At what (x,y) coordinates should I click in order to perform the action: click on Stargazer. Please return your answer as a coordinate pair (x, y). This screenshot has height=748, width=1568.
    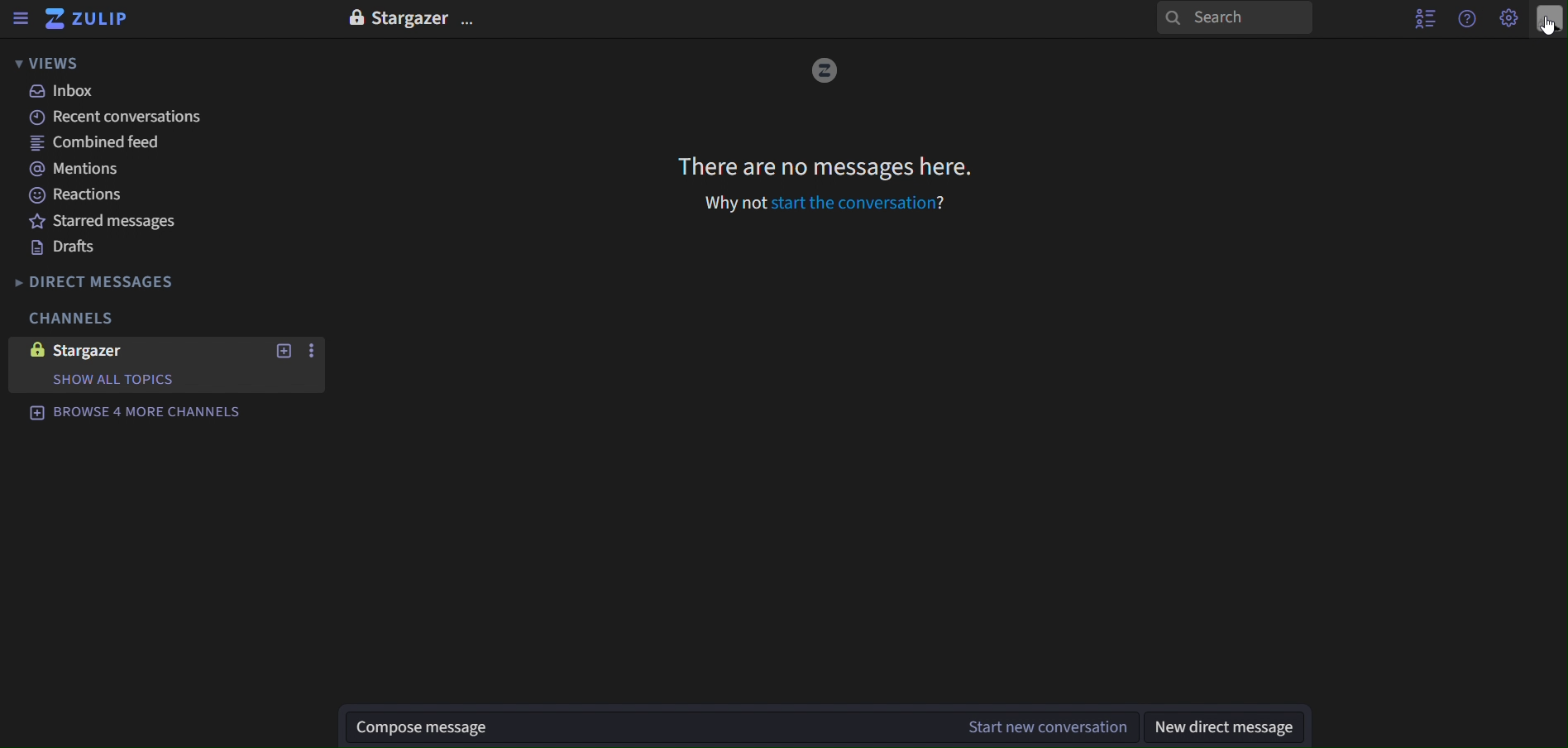
    Looking at the image, I should click on (417, 18).